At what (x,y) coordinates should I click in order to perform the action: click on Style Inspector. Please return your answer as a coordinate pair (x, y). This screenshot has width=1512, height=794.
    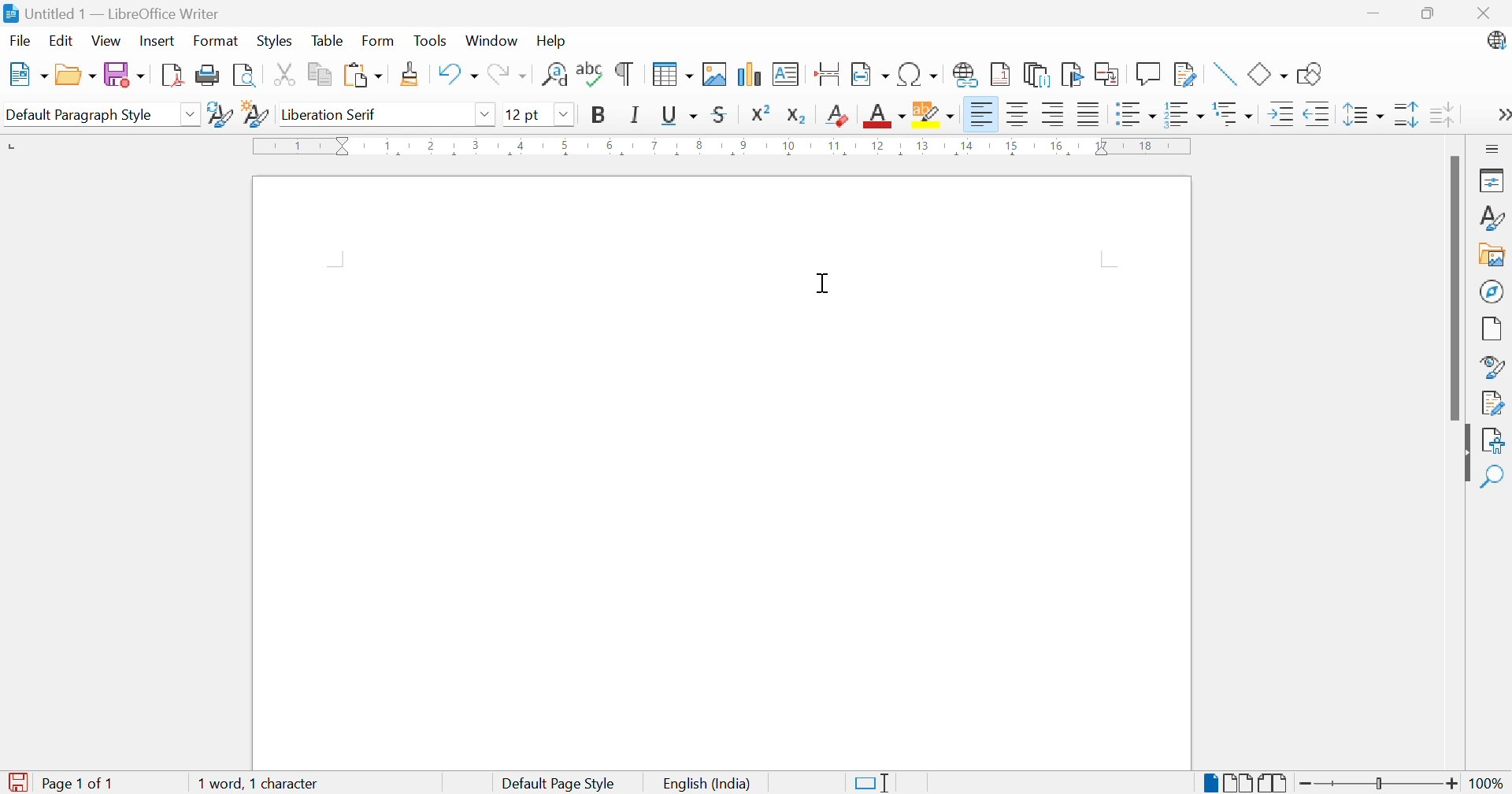
    Looking at the image, I should click on (1494, 366).